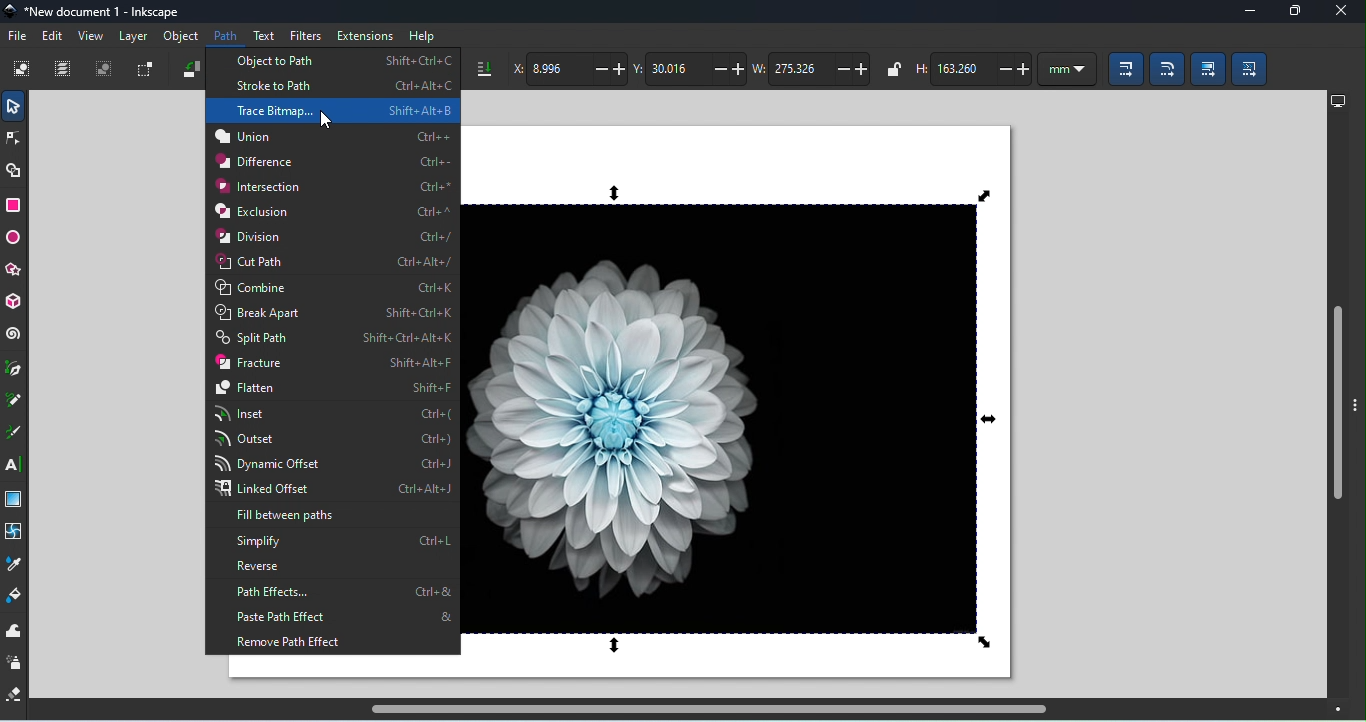 The width and height of the screenshot is (1366, 722). What do you see at coordinates (335, 185) in the screenshot?
I see `Intersection` at bounding box center [335, 185].